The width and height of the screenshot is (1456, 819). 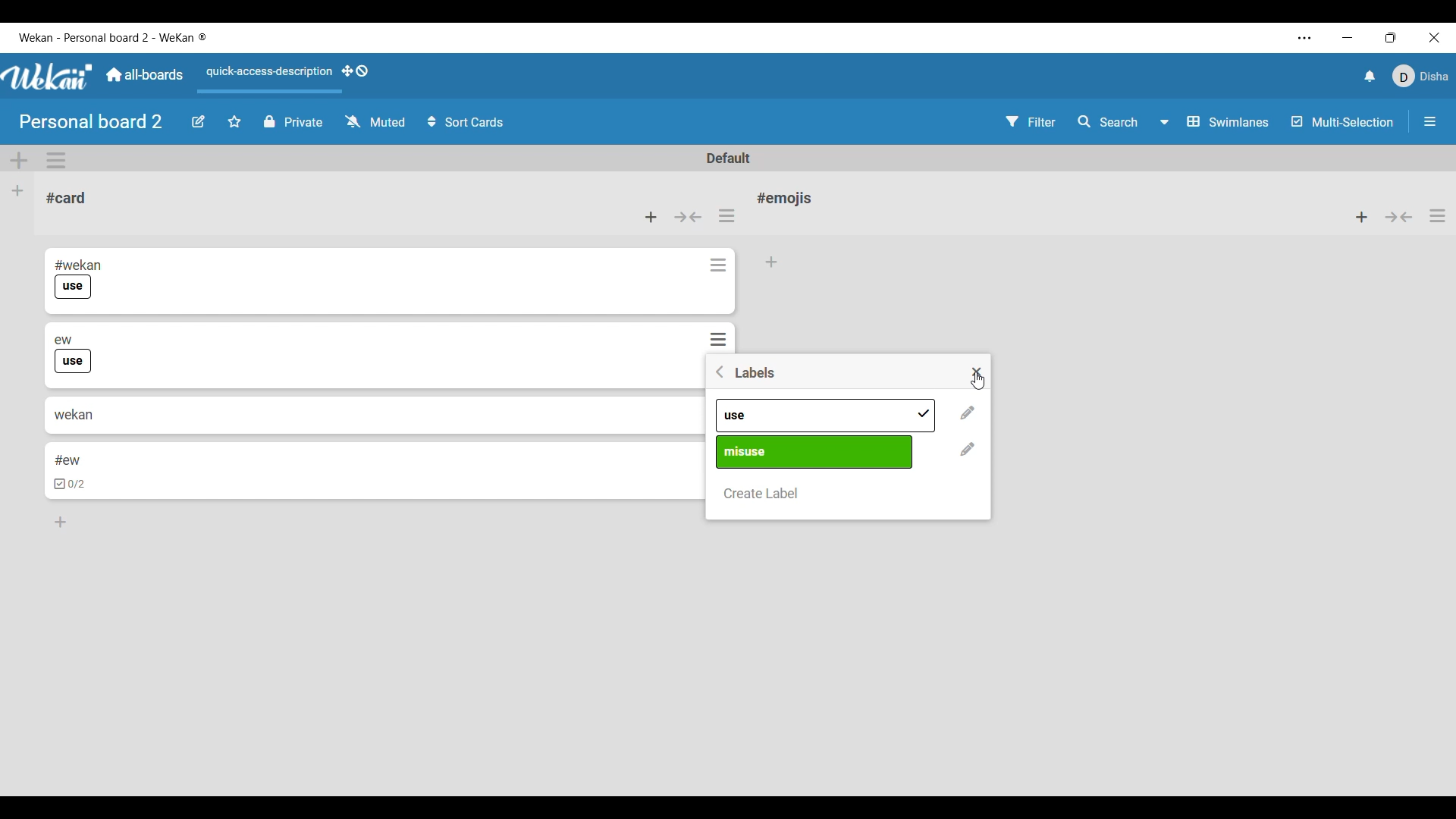 I want to click on Card actions for respective card, so click(x=720, y=265).